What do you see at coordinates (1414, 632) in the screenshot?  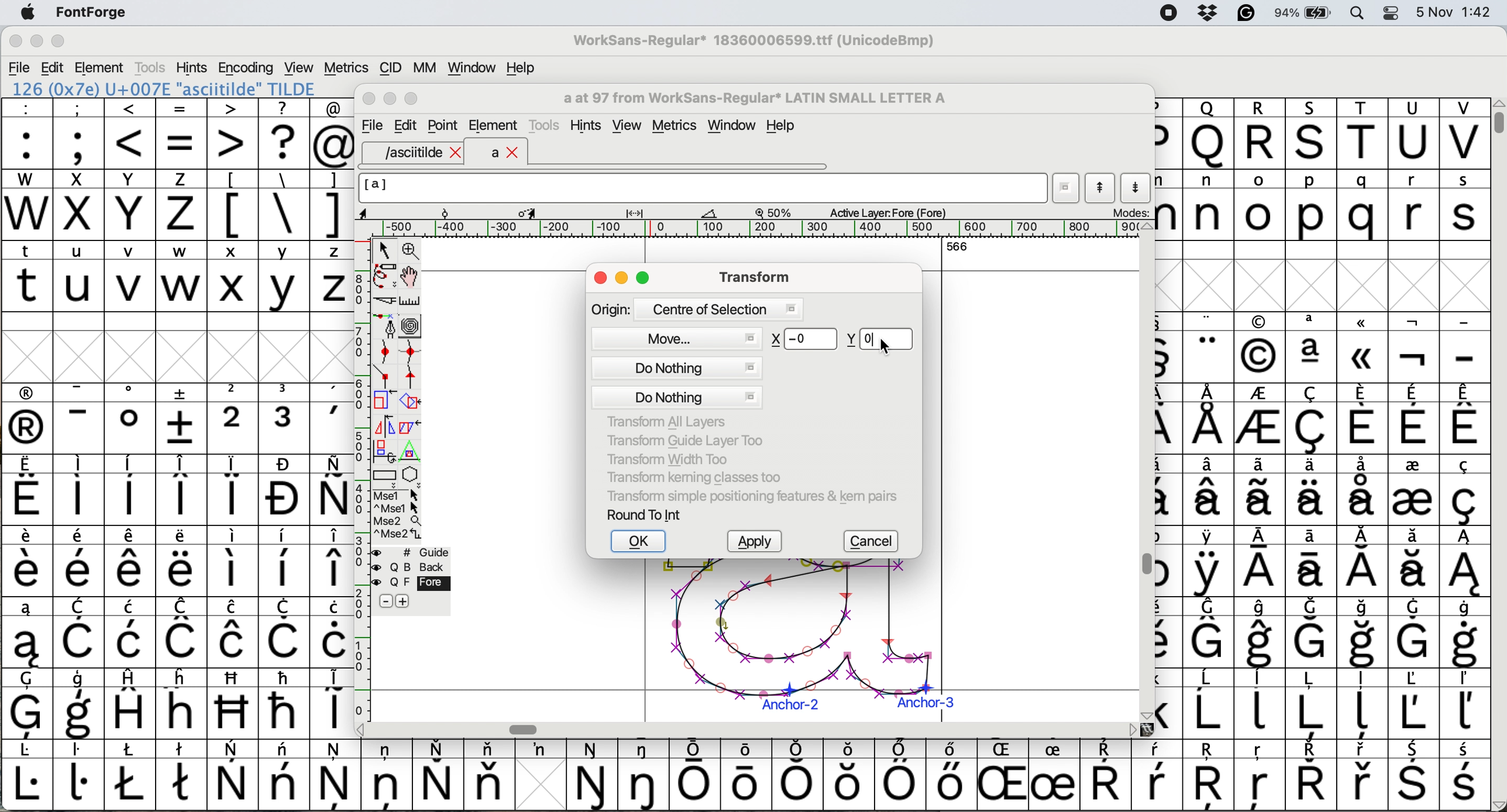 I see `symbol` at bounding box center [1414, 632].